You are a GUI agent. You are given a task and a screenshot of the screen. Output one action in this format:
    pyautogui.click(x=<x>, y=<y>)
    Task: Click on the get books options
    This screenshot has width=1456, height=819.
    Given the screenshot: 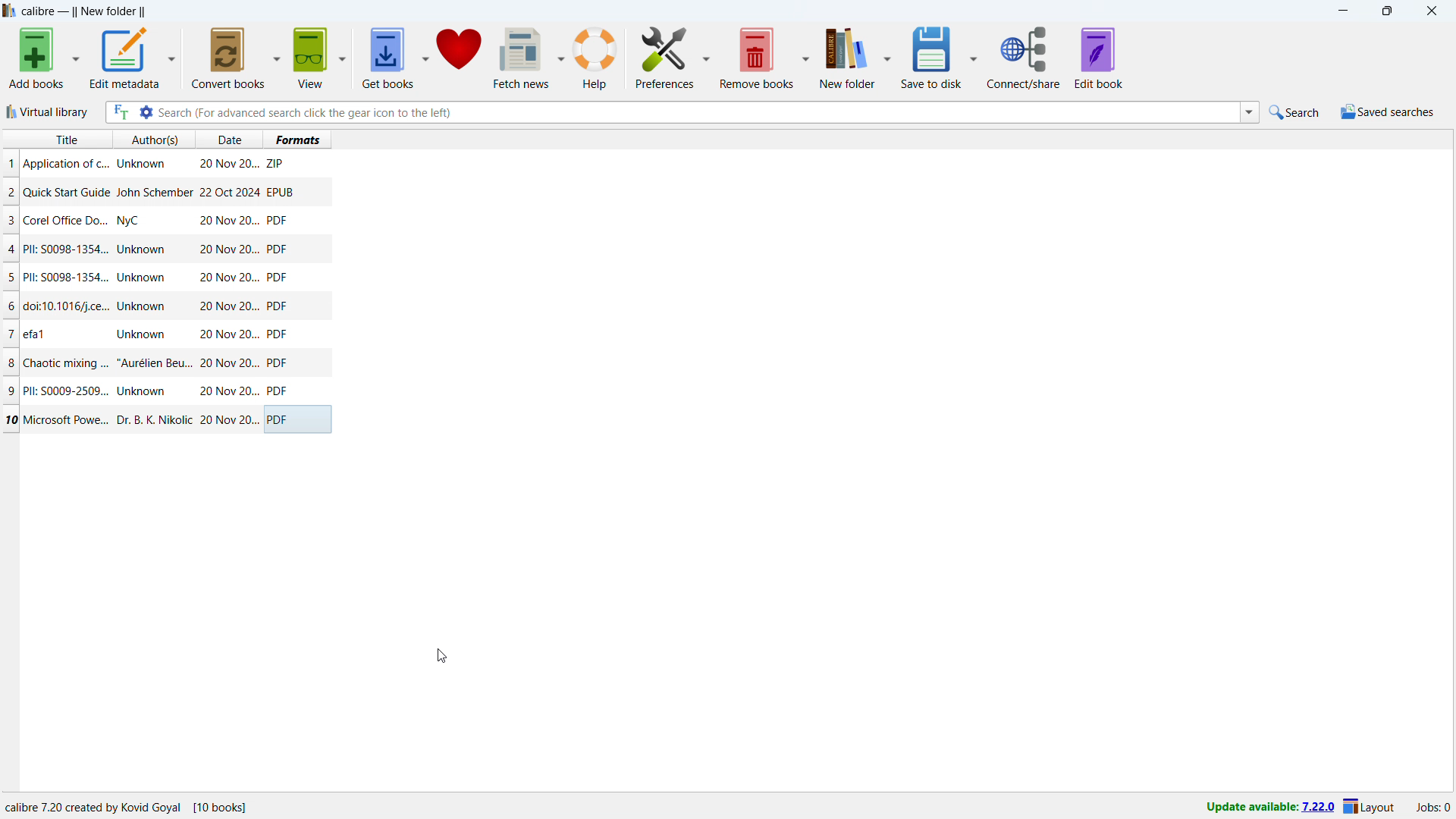 What is the action you would take?
    pyautogui.click(x=425, y=57)
    